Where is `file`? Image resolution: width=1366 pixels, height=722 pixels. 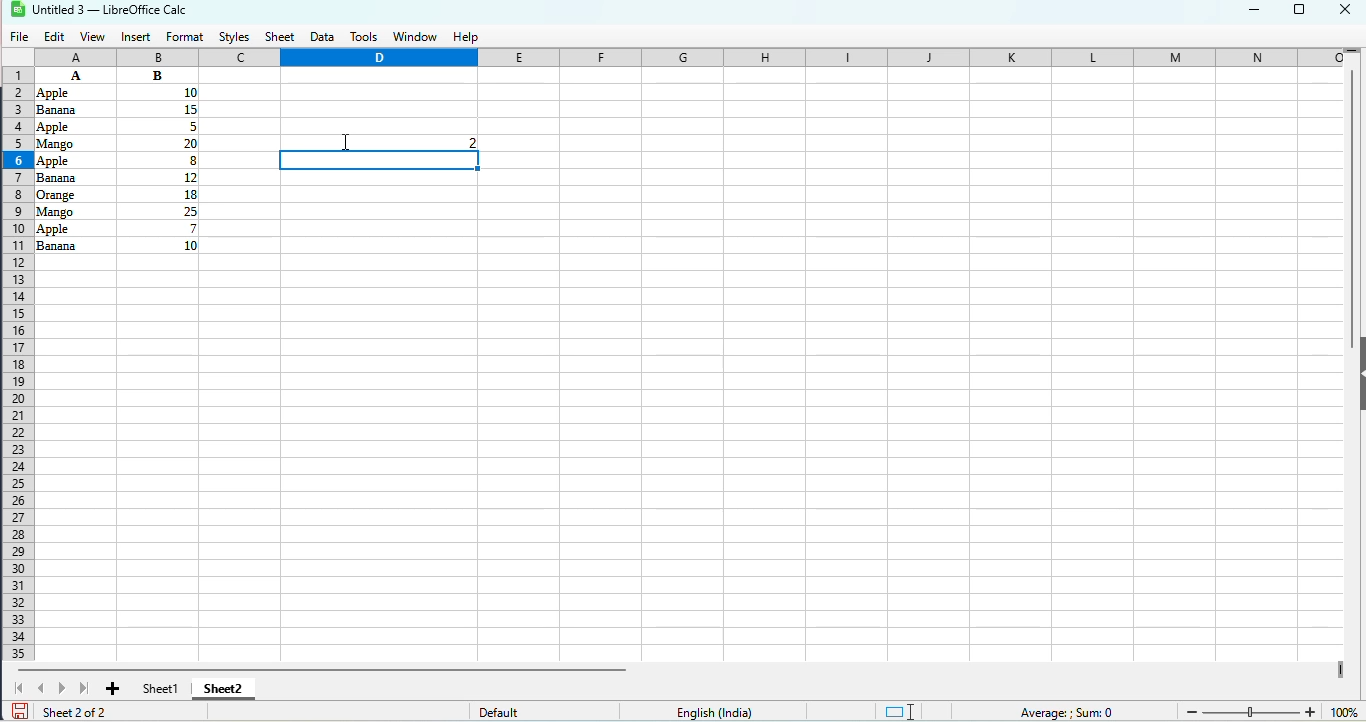
file is located at coordinates (18, 37).